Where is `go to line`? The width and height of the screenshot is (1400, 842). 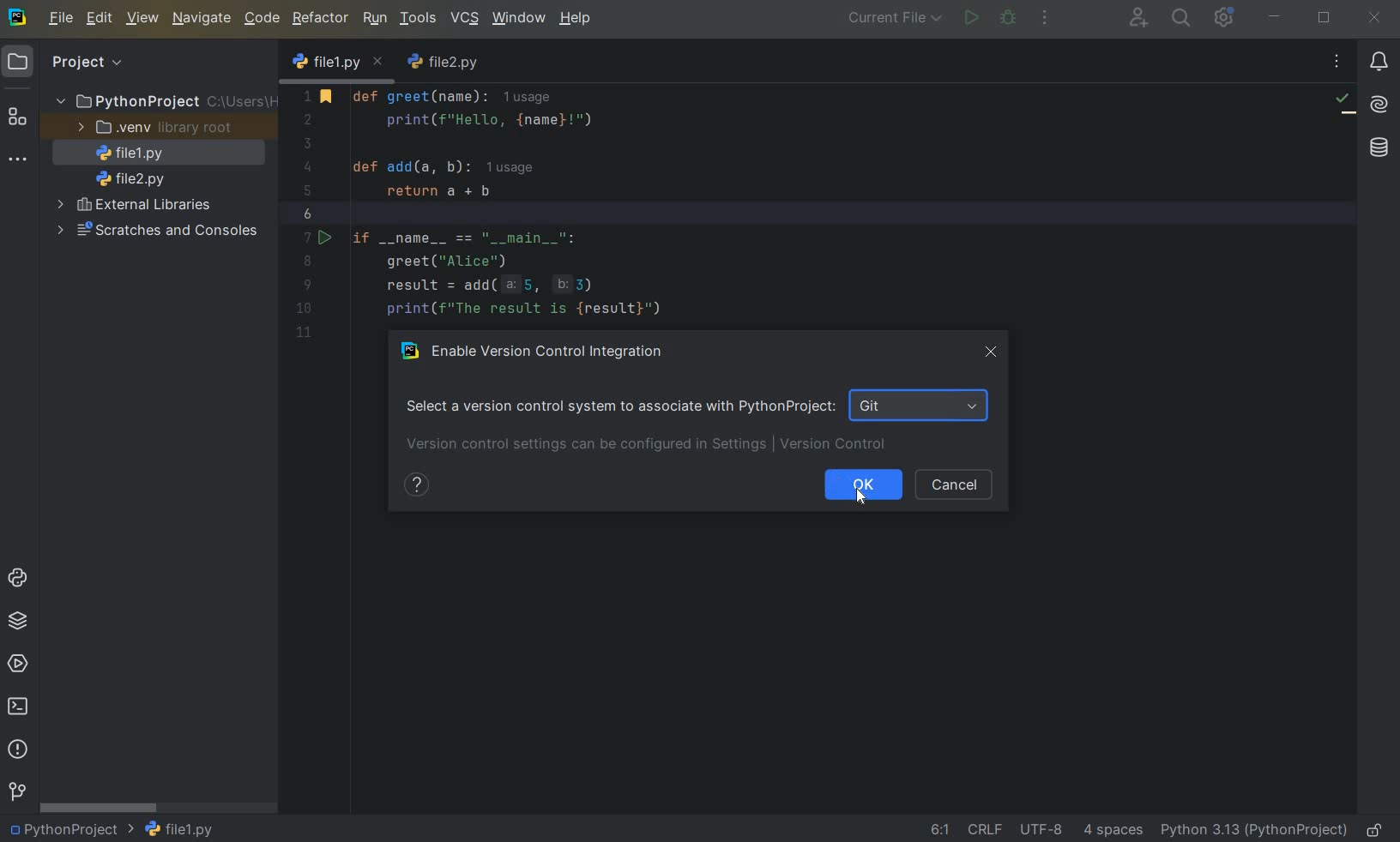
go to line is located at coordinates (939, 830).